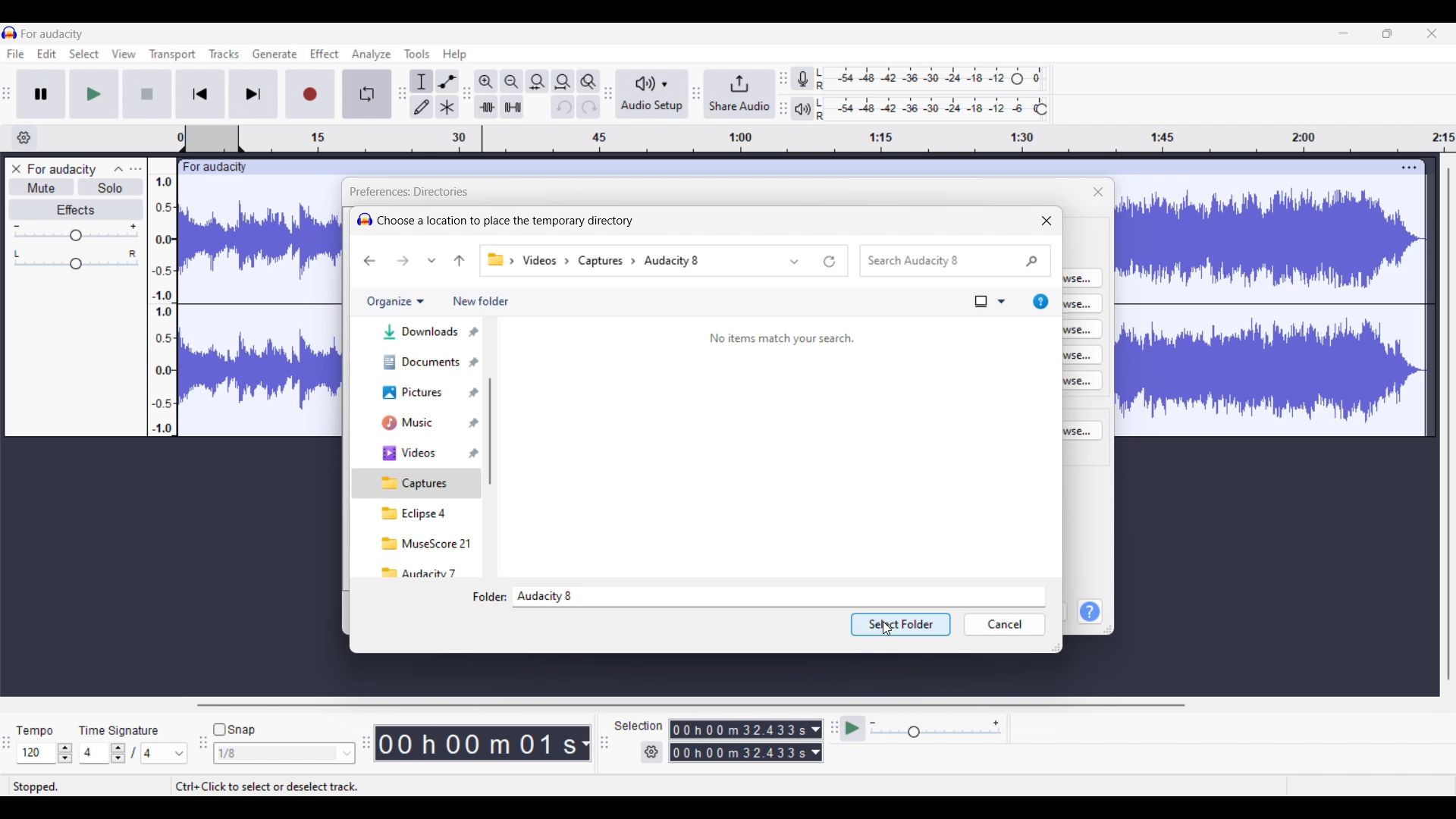  What do you see at coordinates (10, 33) in the screenshot?
I see `Software logo` at bounding box center [10, 33].